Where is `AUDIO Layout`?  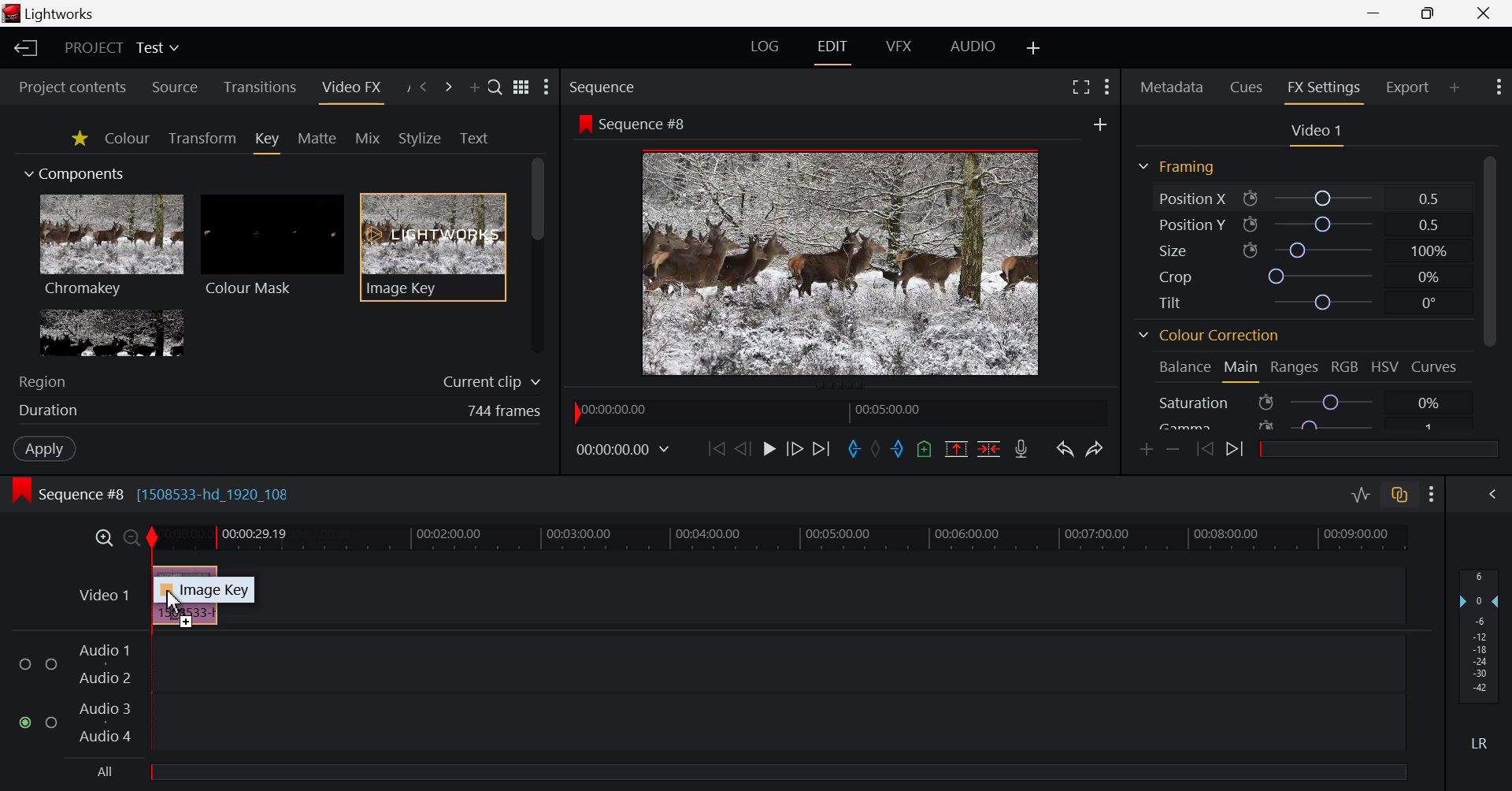
AUDIO Layout is located at coordinates (973, 45).